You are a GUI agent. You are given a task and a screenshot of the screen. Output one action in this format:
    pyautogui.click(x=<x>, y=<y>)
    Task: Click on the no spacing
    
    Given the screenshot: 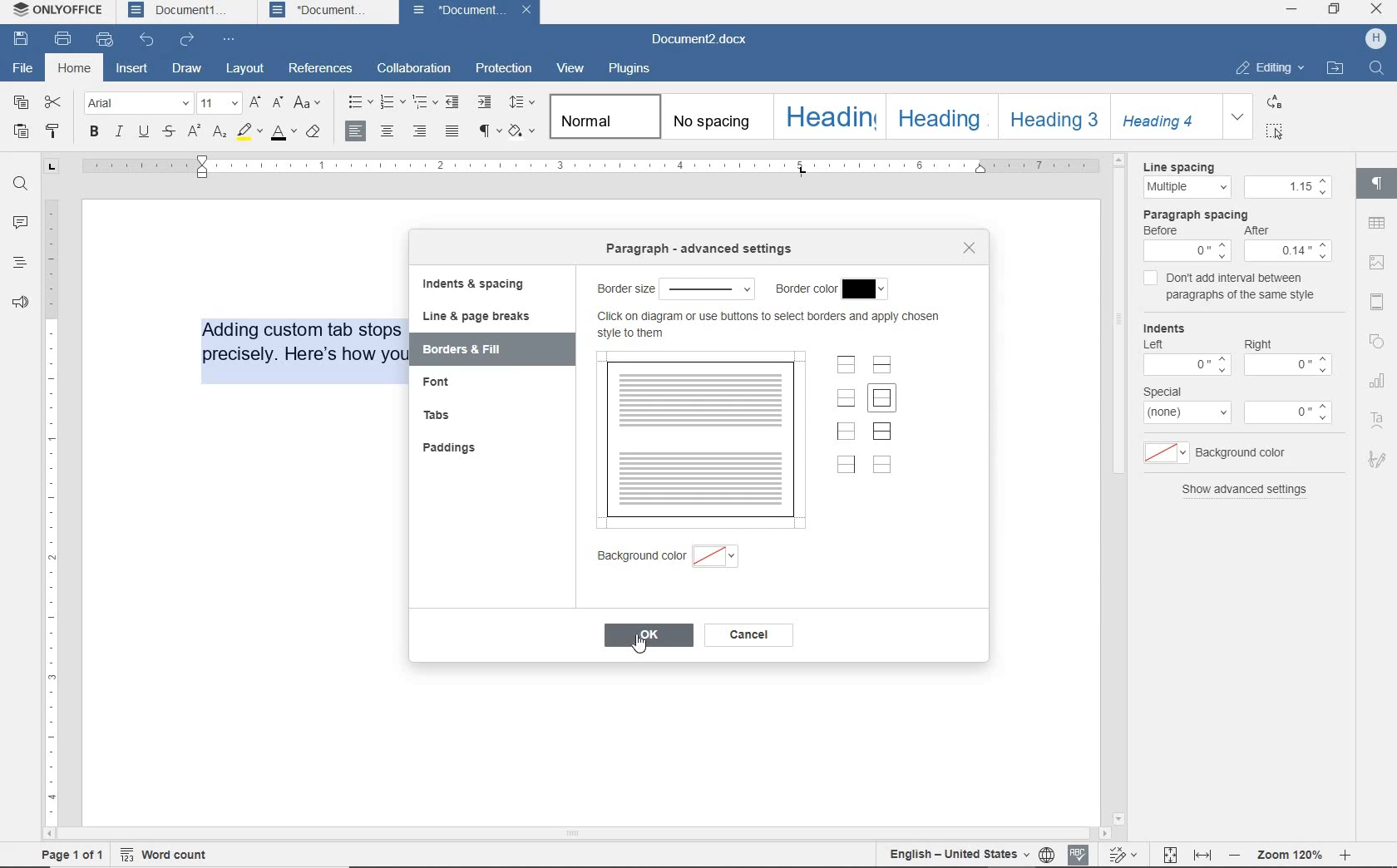 What is the action you would take?
    pyautogui.click(x=713, y=116)
    